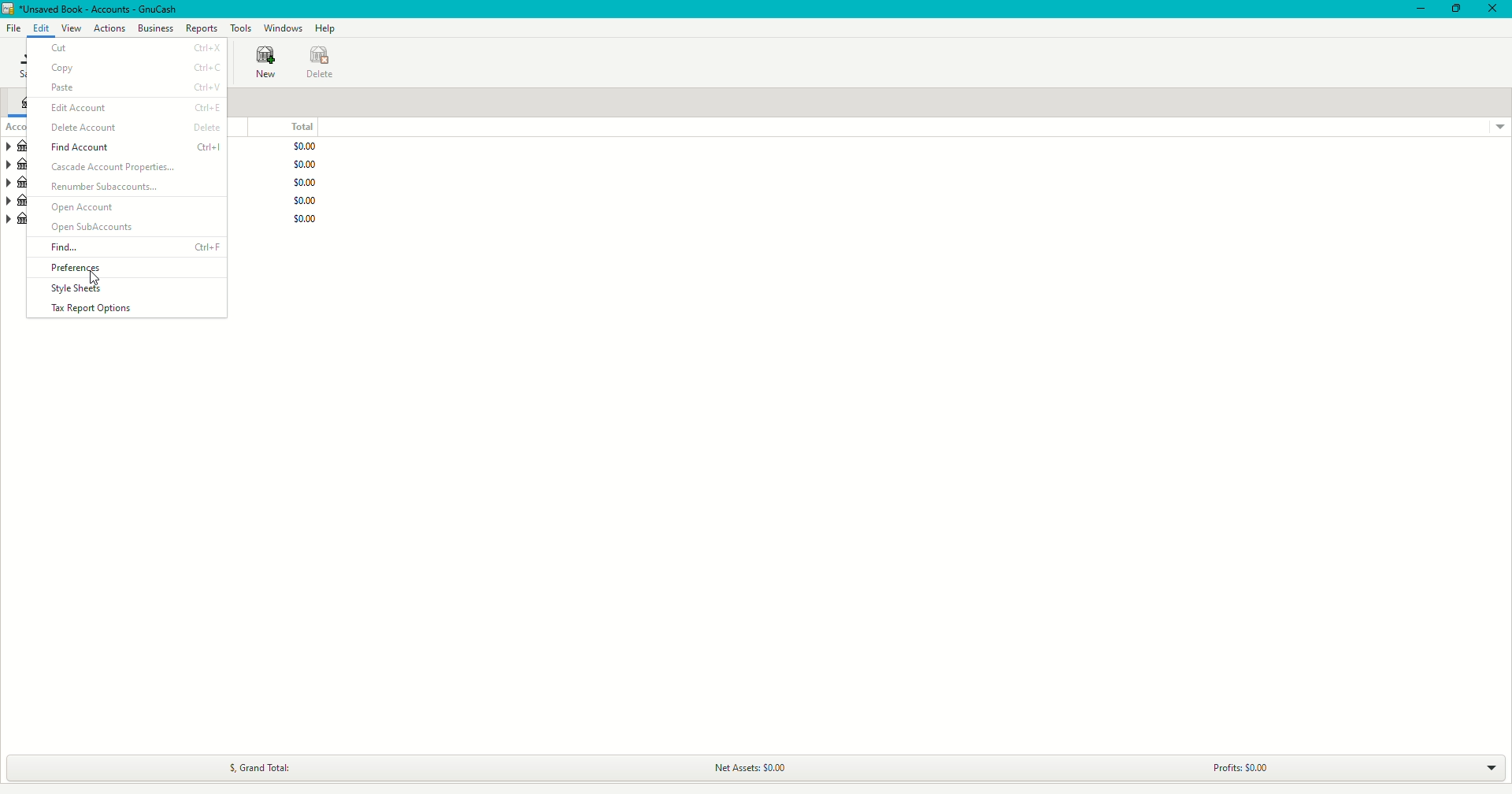 Image resolution: width=1512 pixels, height=794 pixels. I want to click on Copy, so click(132, 67).